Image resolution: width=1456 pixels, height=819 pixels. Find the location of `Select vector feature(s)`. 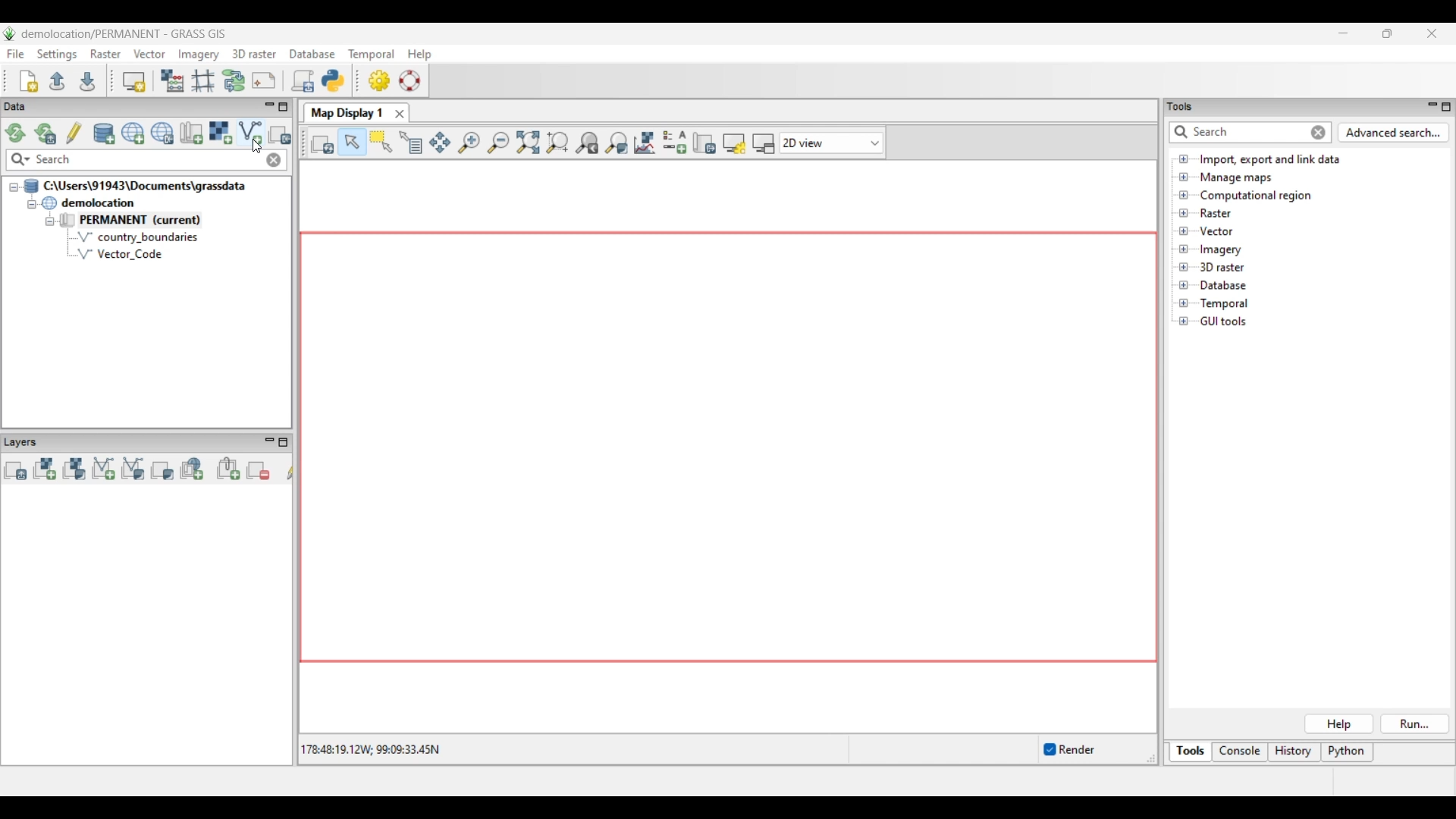

Select vector feature(s) is located at coordinates (379, 143).